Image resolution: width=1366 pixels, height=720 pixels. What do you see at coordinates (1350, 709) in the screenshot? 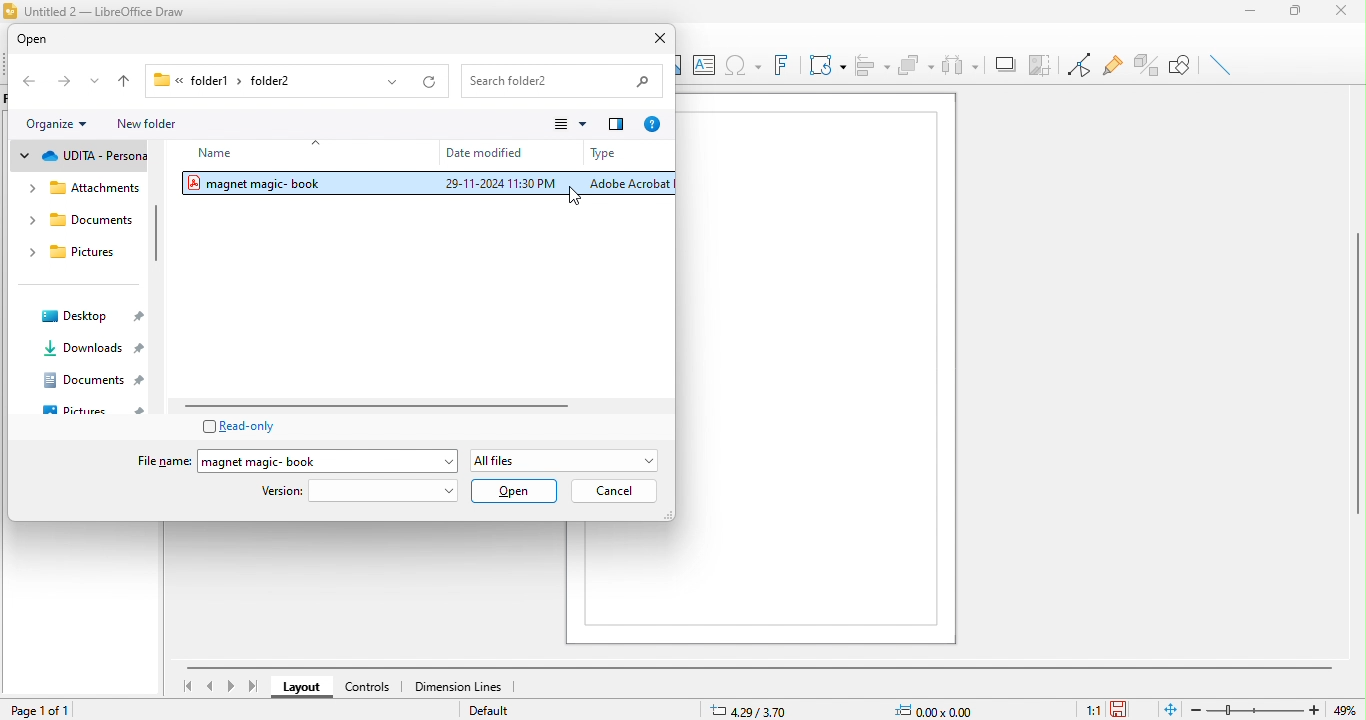
I see `49%` at bounding box center [1350, 709].